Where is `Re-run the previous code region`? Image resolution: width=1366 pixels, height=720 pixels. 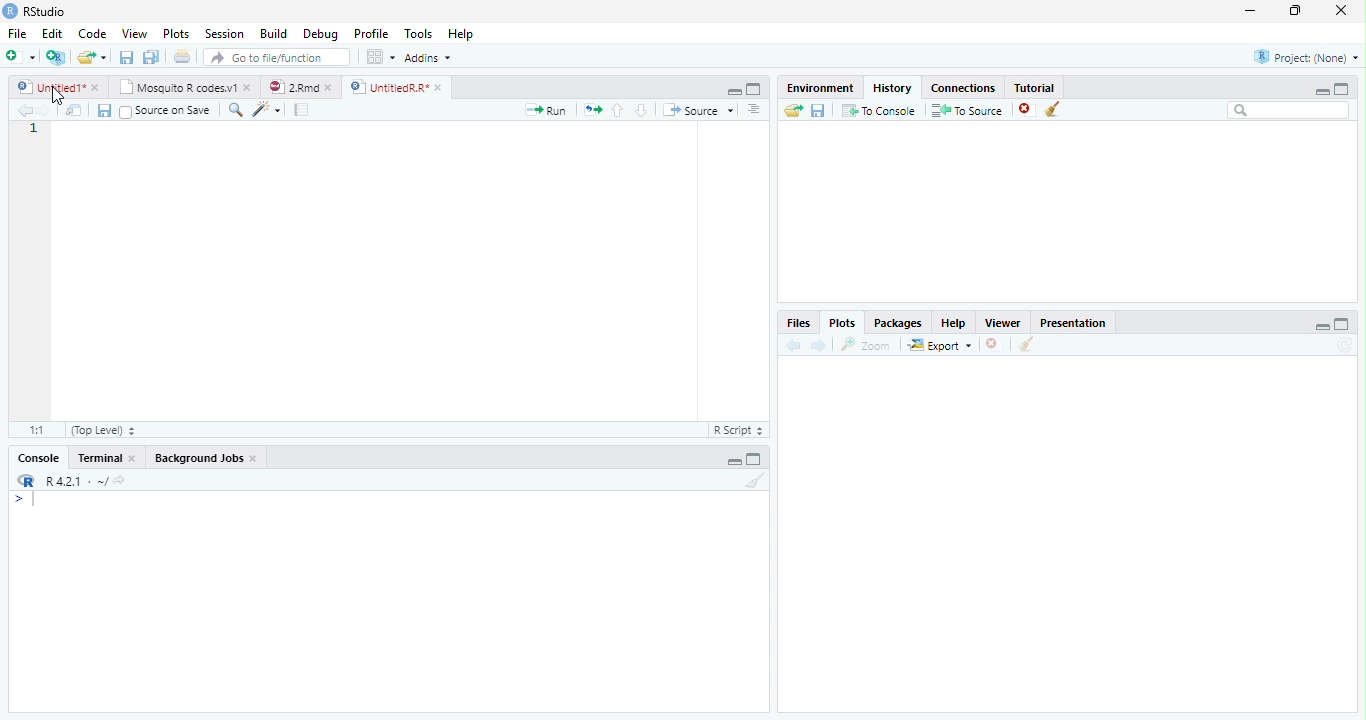 Re-run the previous code region is located at coordinates (592, 109).